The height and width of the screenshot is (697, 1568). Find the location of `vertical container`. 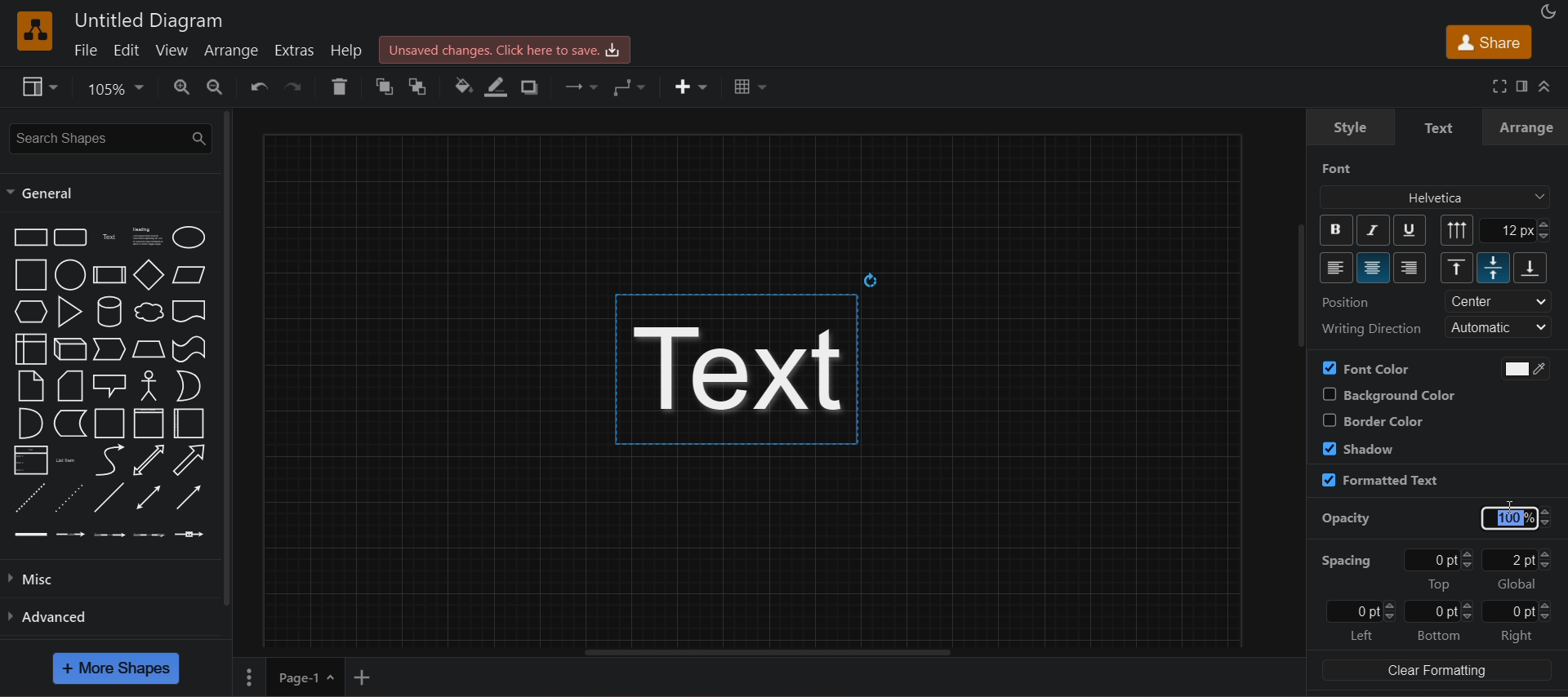

vertical container is located at coordinates (149, 423).